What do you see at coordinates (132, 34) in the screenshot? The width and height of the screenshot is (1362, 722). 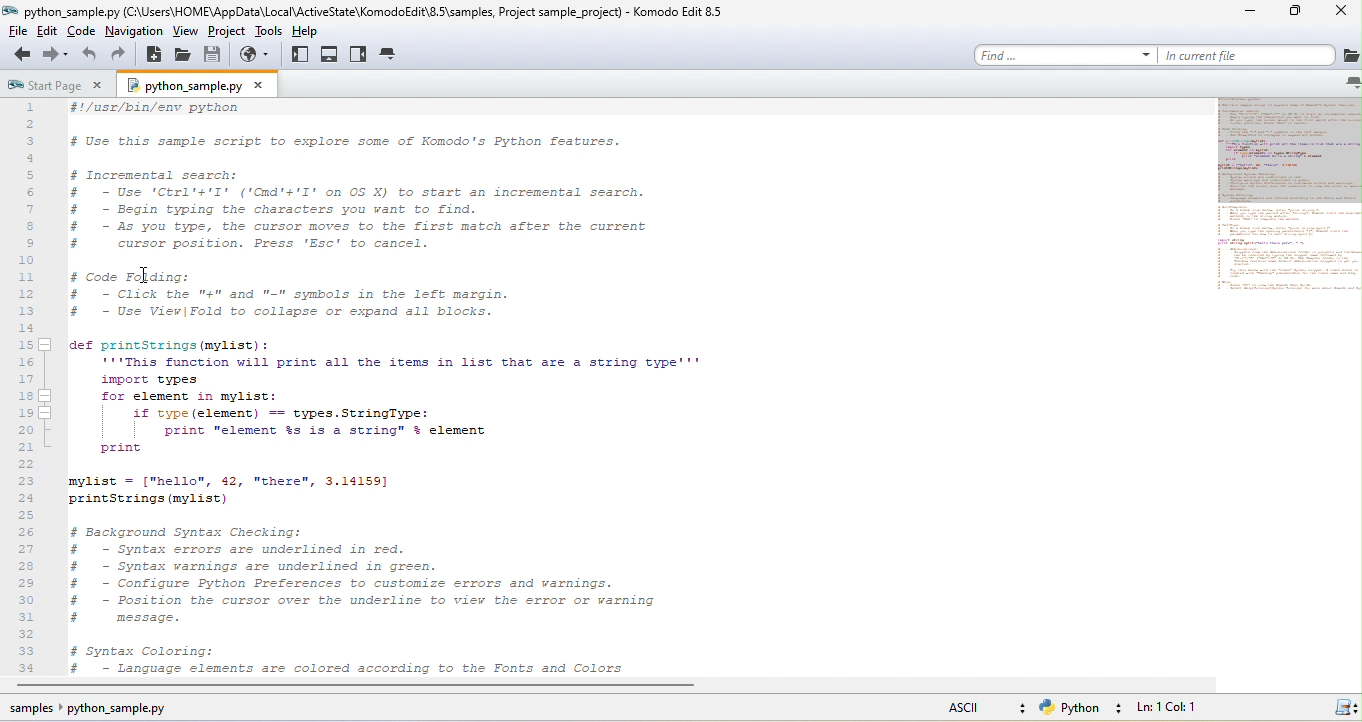 I see `nevigation` at bounding box center [132, 34].